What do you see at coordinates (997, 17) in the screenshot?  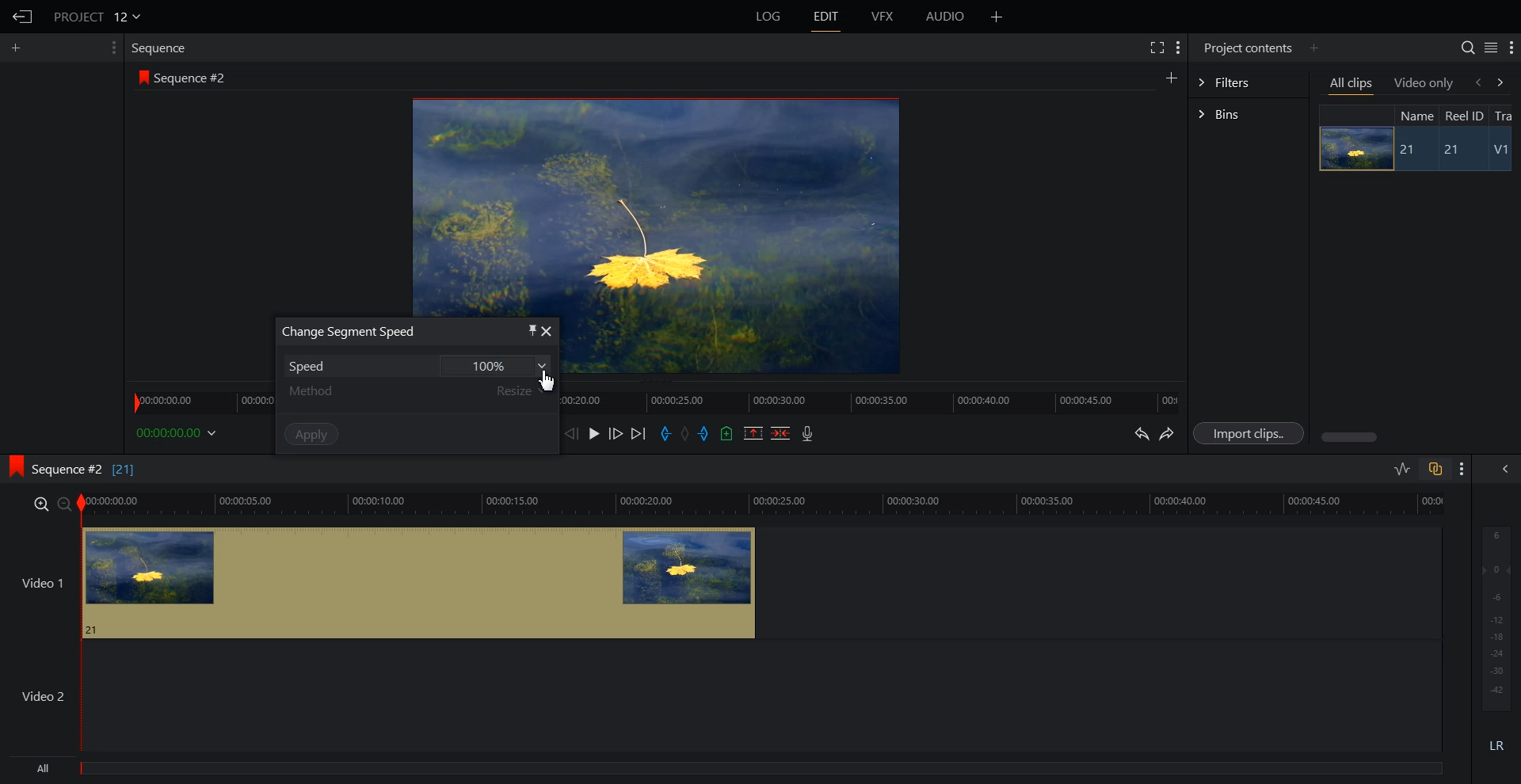 I see `Add panel` at bounding box center [997, 17].